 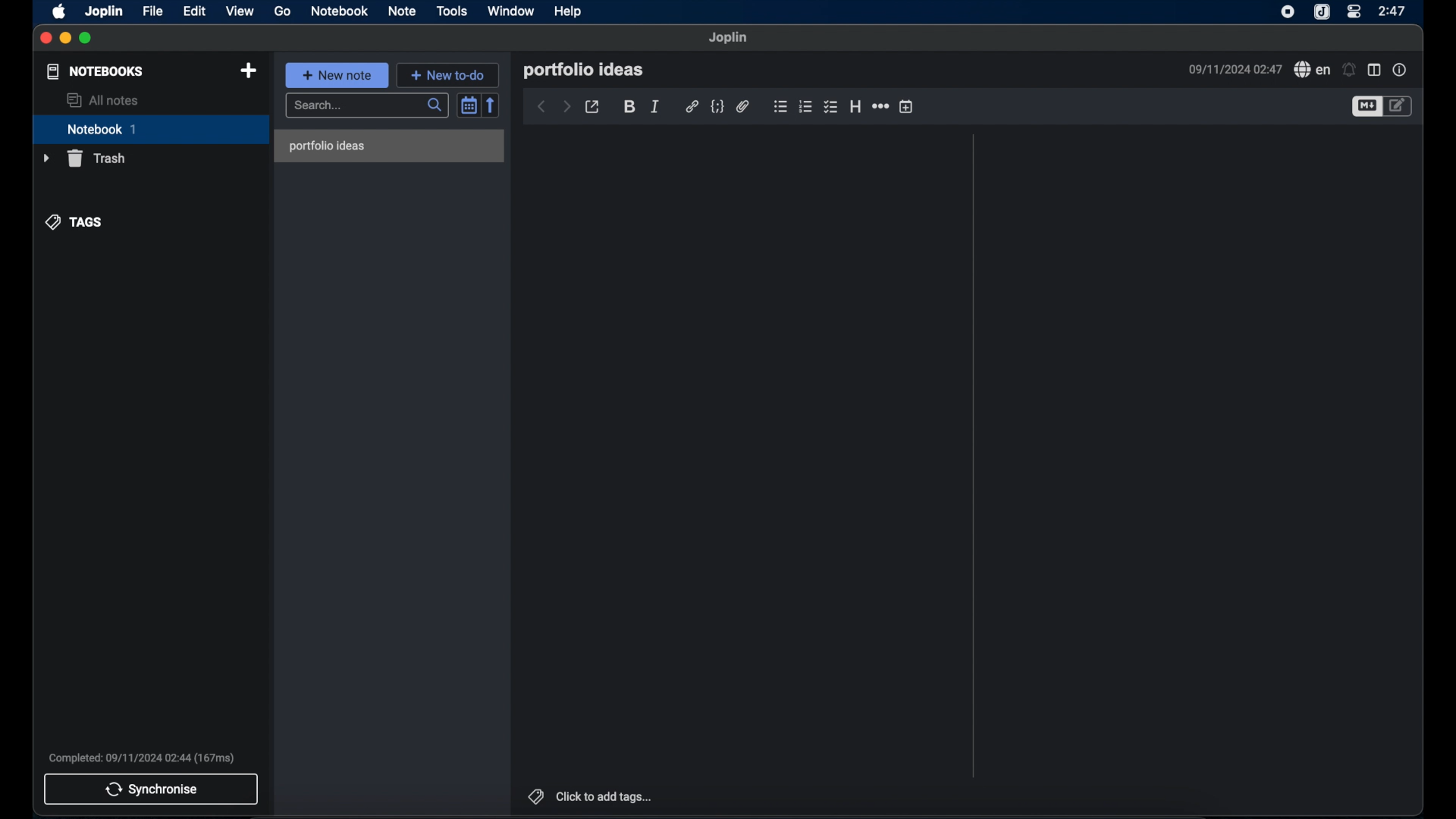 What do you see at coordinates (391, 145) in the screenshot?
I see `Name` at bounding box center [391, 145].